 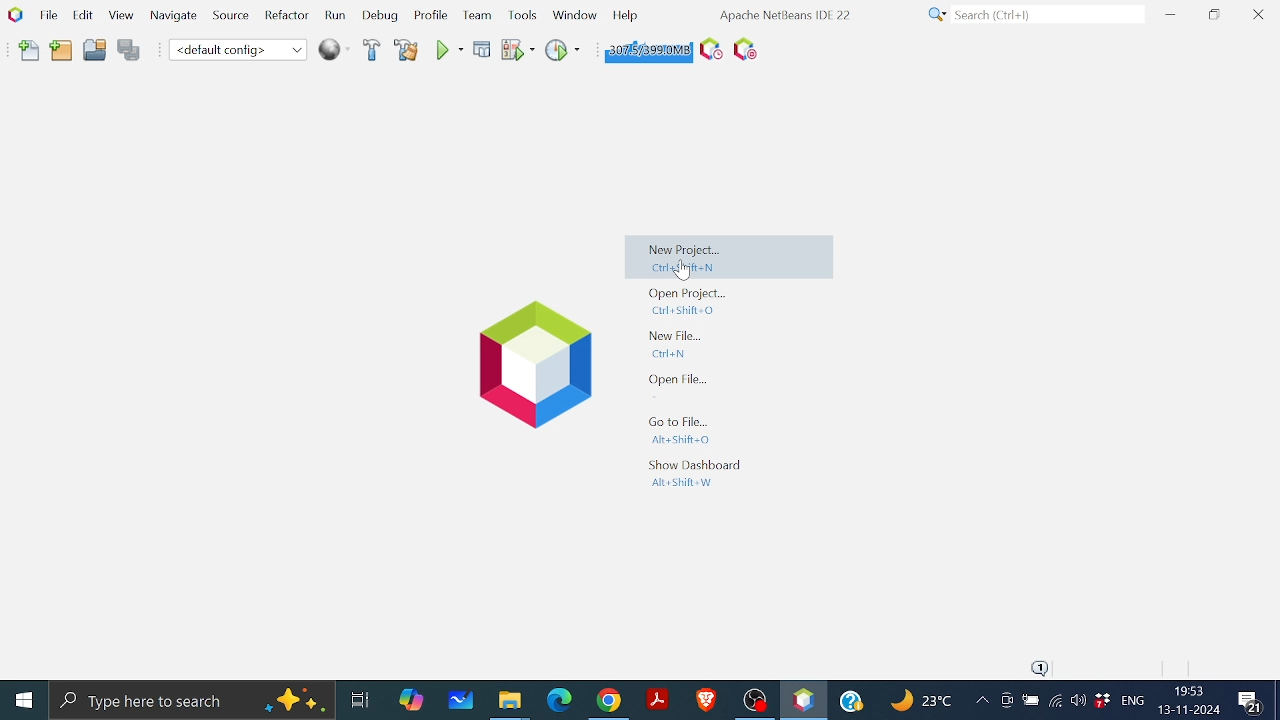 I want to click on Restore down, so click(x=1214, y=14).